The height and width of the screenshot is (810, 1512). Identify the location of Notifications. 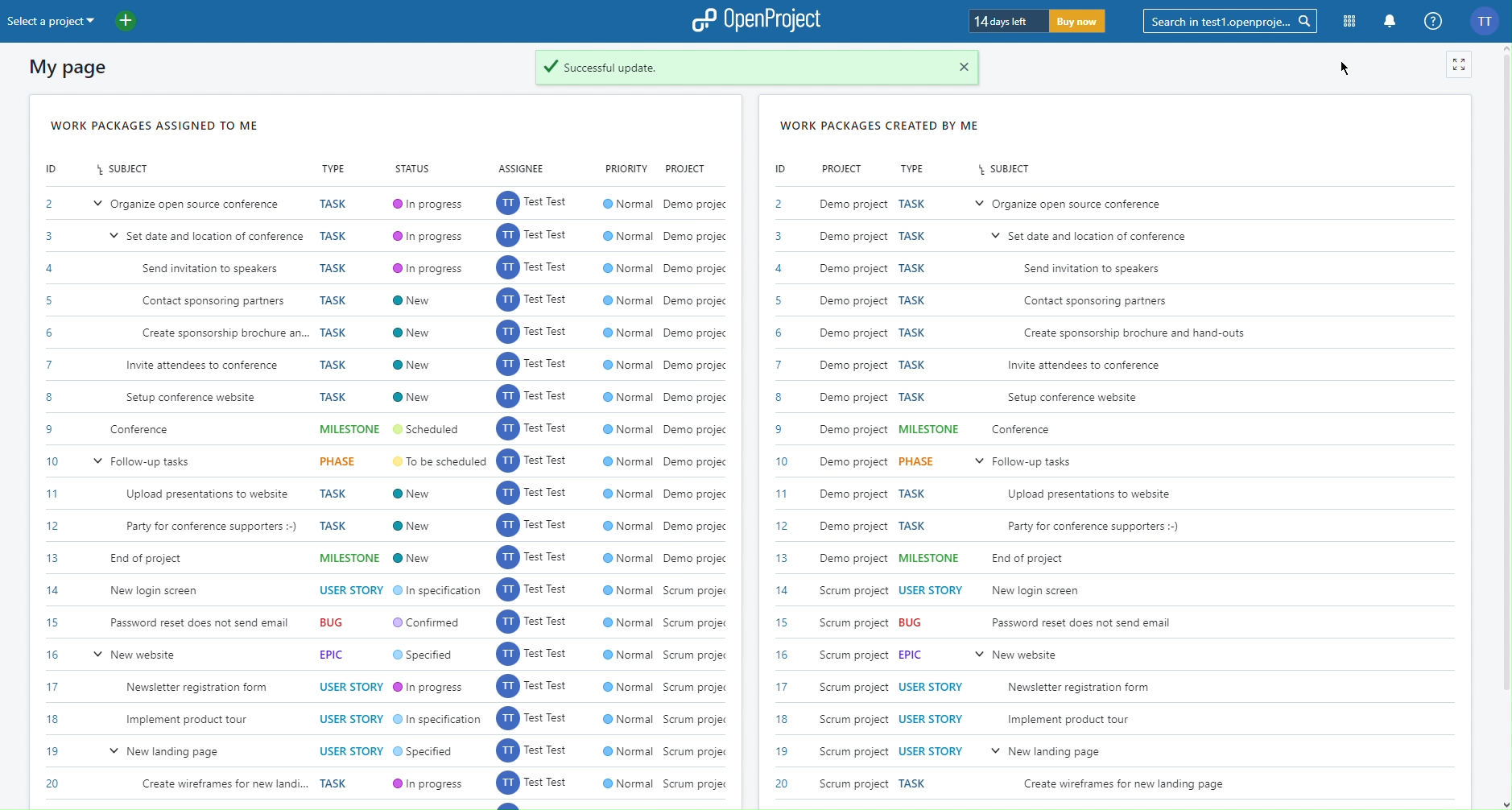
(1390, 22).